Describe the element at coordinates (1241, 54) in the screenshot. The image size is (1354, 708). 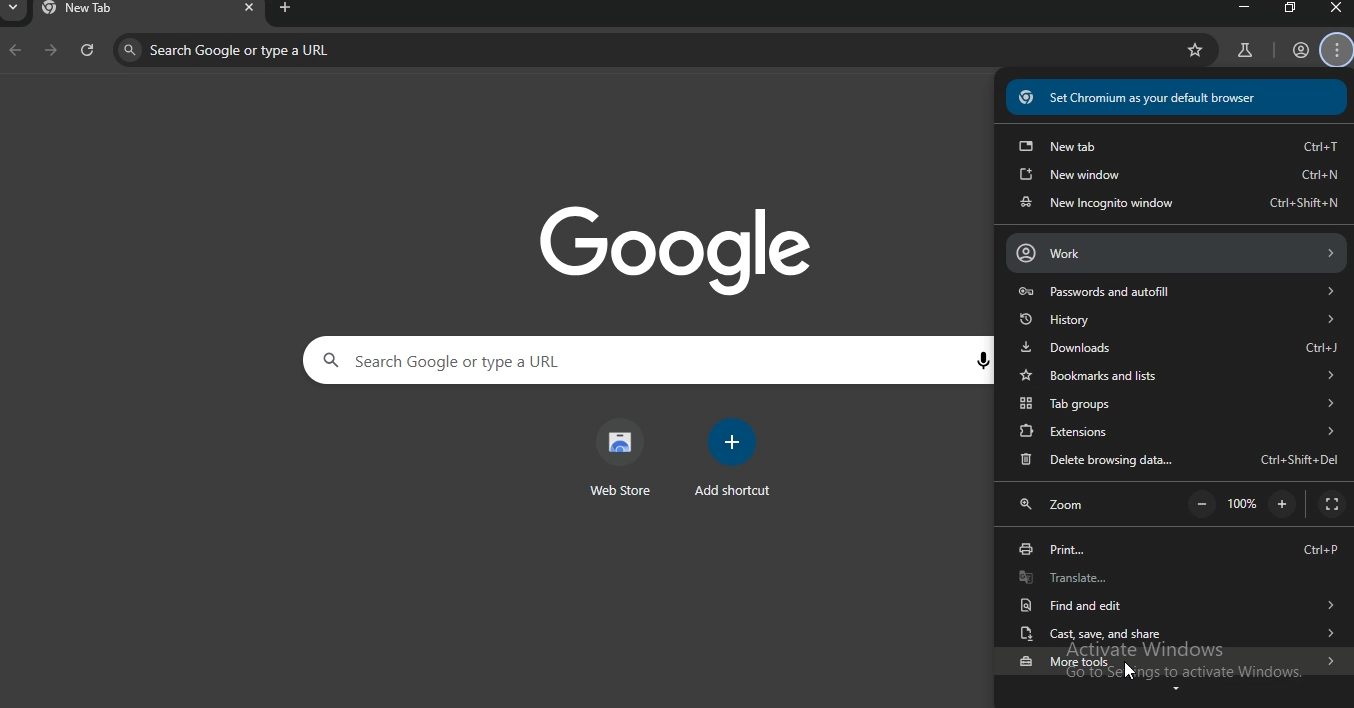
I see `search labs` at that location.